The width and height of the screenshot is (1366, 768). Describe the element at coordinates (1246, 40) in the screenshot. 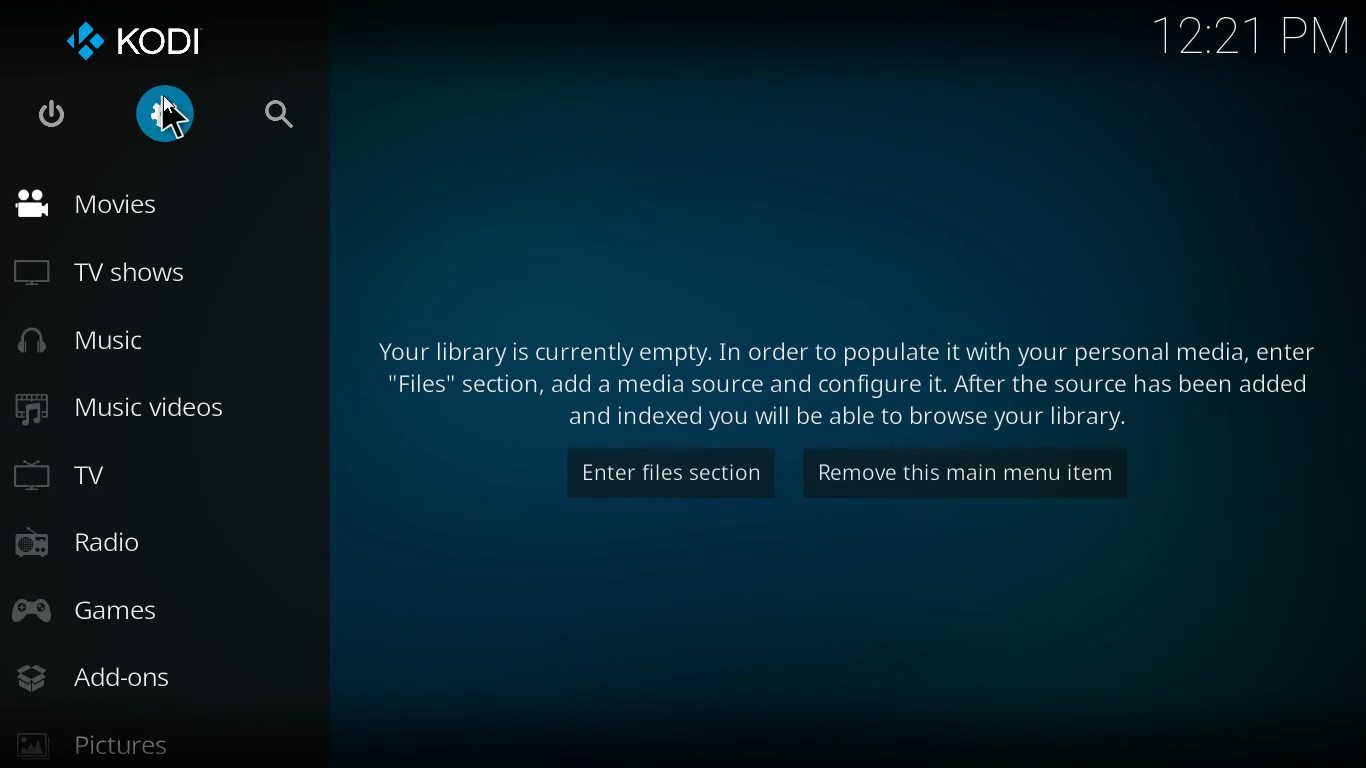

I see `time` at that location.